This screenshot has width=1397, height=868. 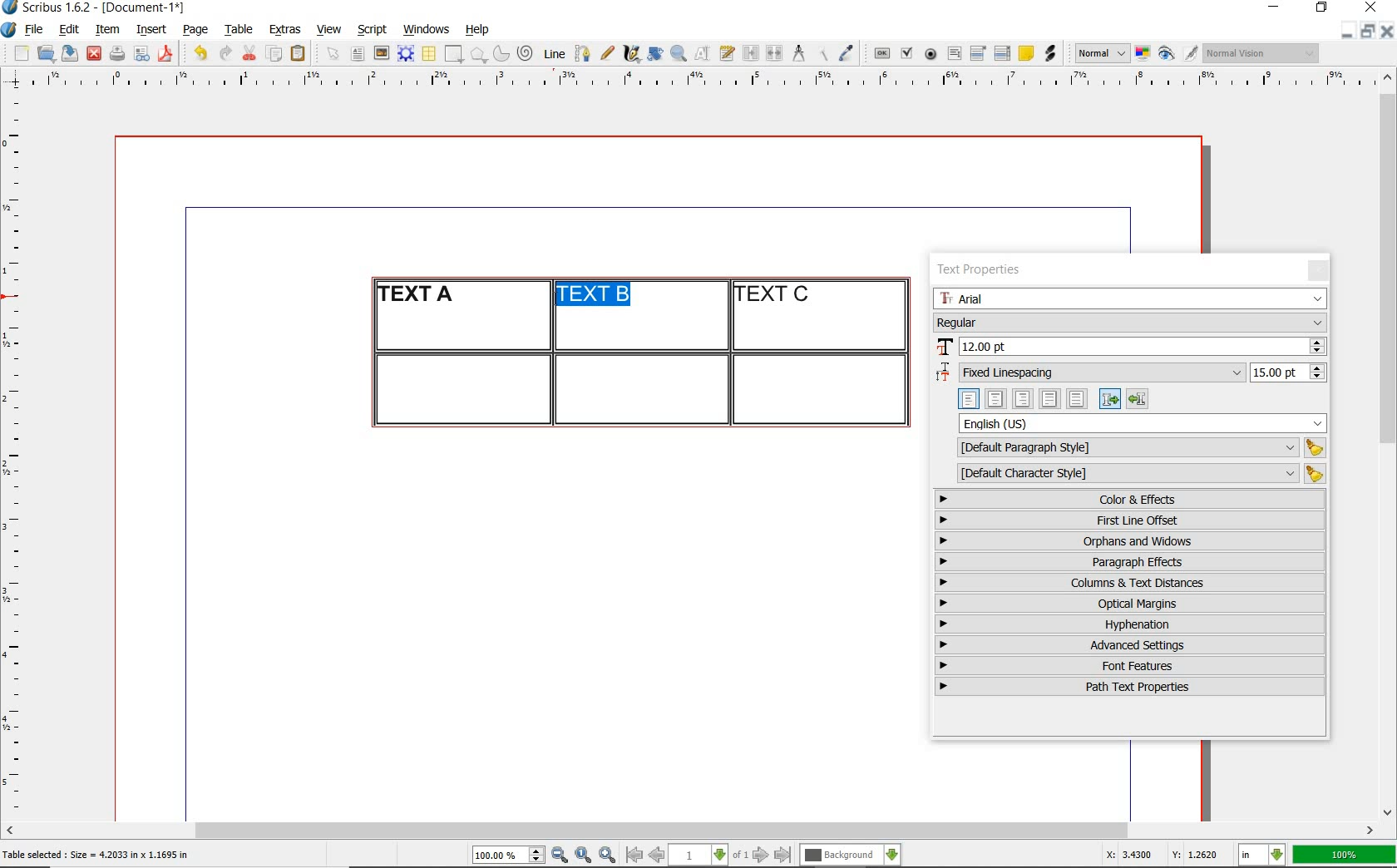 I want to click on edit contents of frame, so click(x=703, y=52).